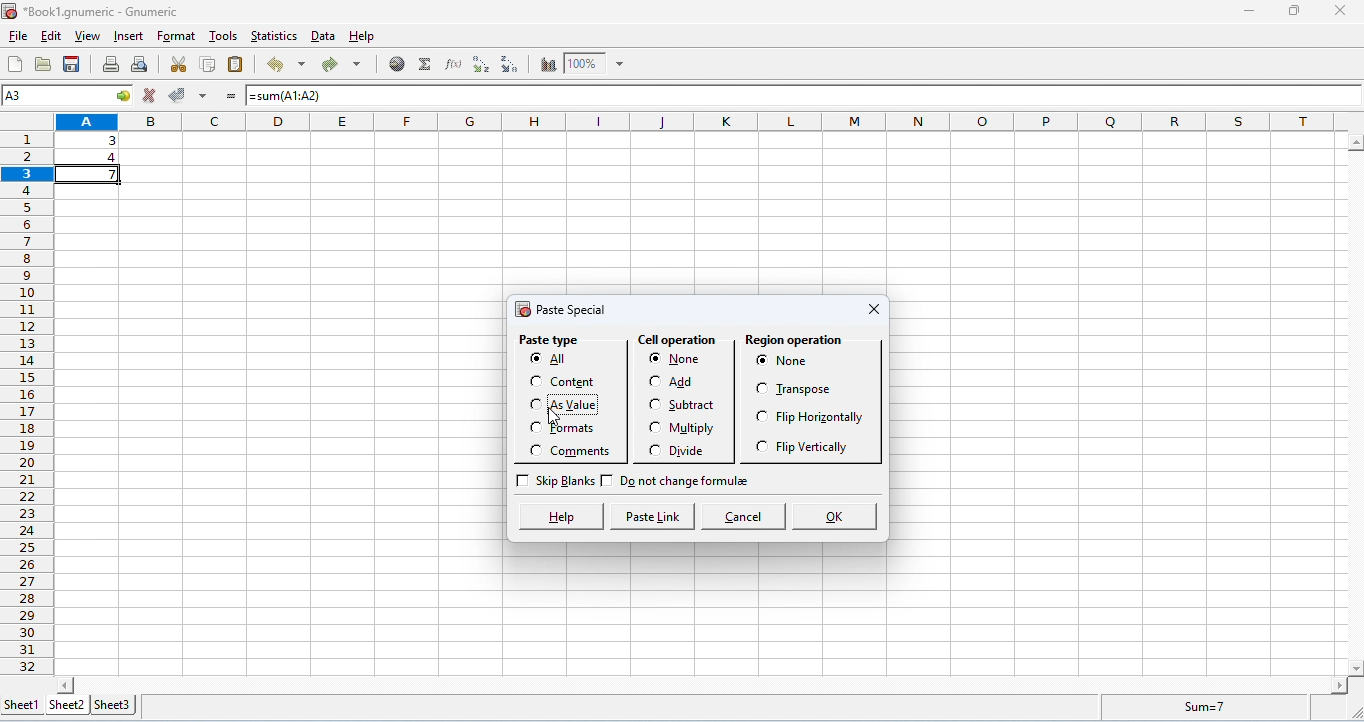  I want to click on paste type, so click(553, 342).